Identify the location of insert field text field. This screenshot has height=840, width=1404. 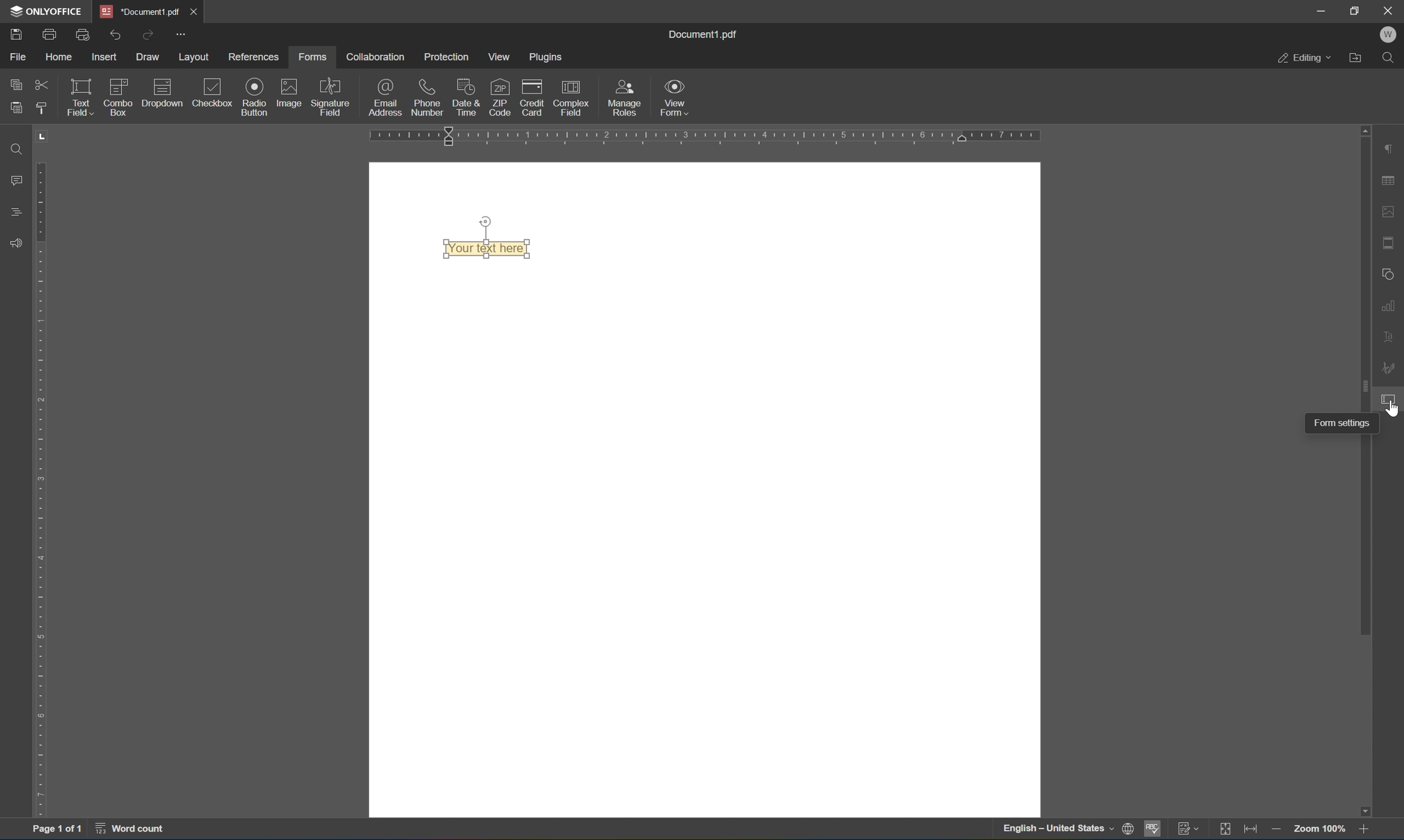
(140, 117).